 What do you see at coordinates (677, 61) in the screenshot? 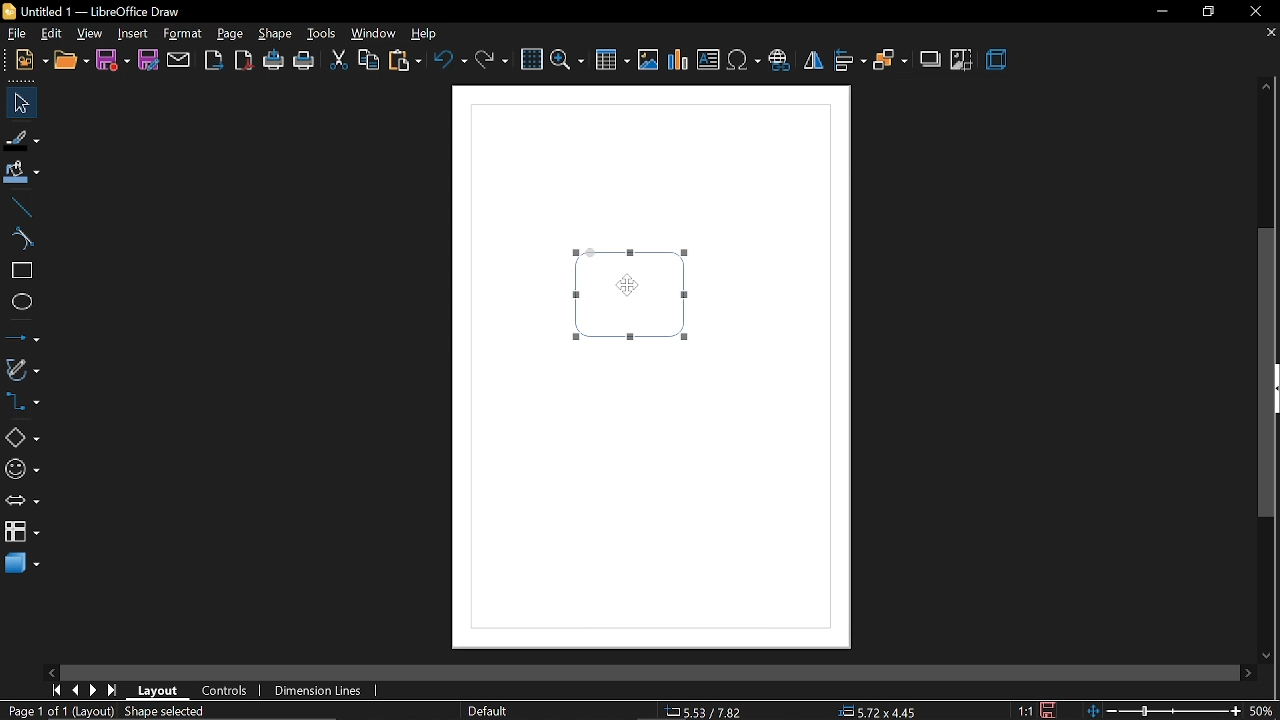
I see `insert chart` at bounding box center [677, 61].